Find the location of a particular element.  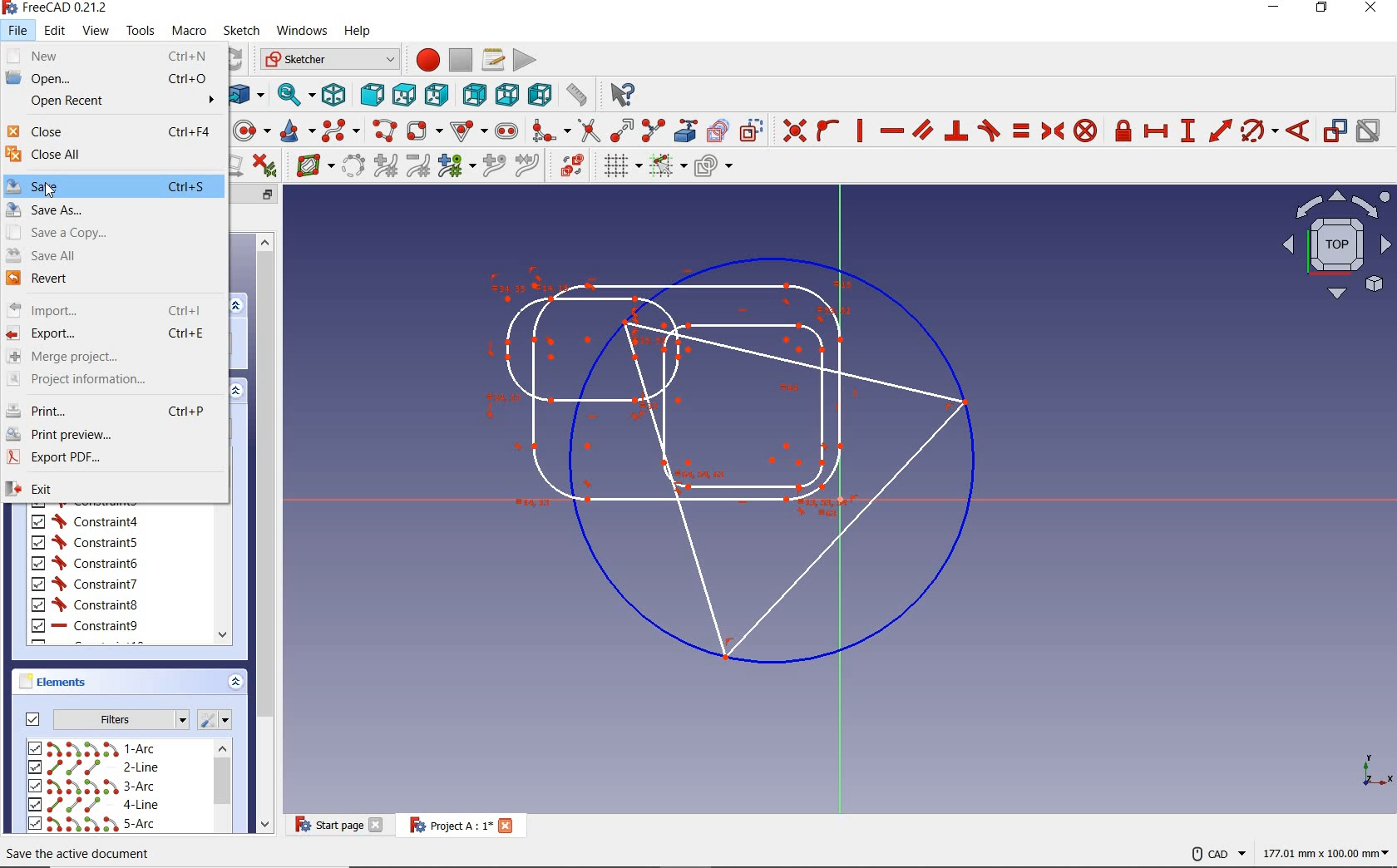

open is located at coordinates (112, 79).